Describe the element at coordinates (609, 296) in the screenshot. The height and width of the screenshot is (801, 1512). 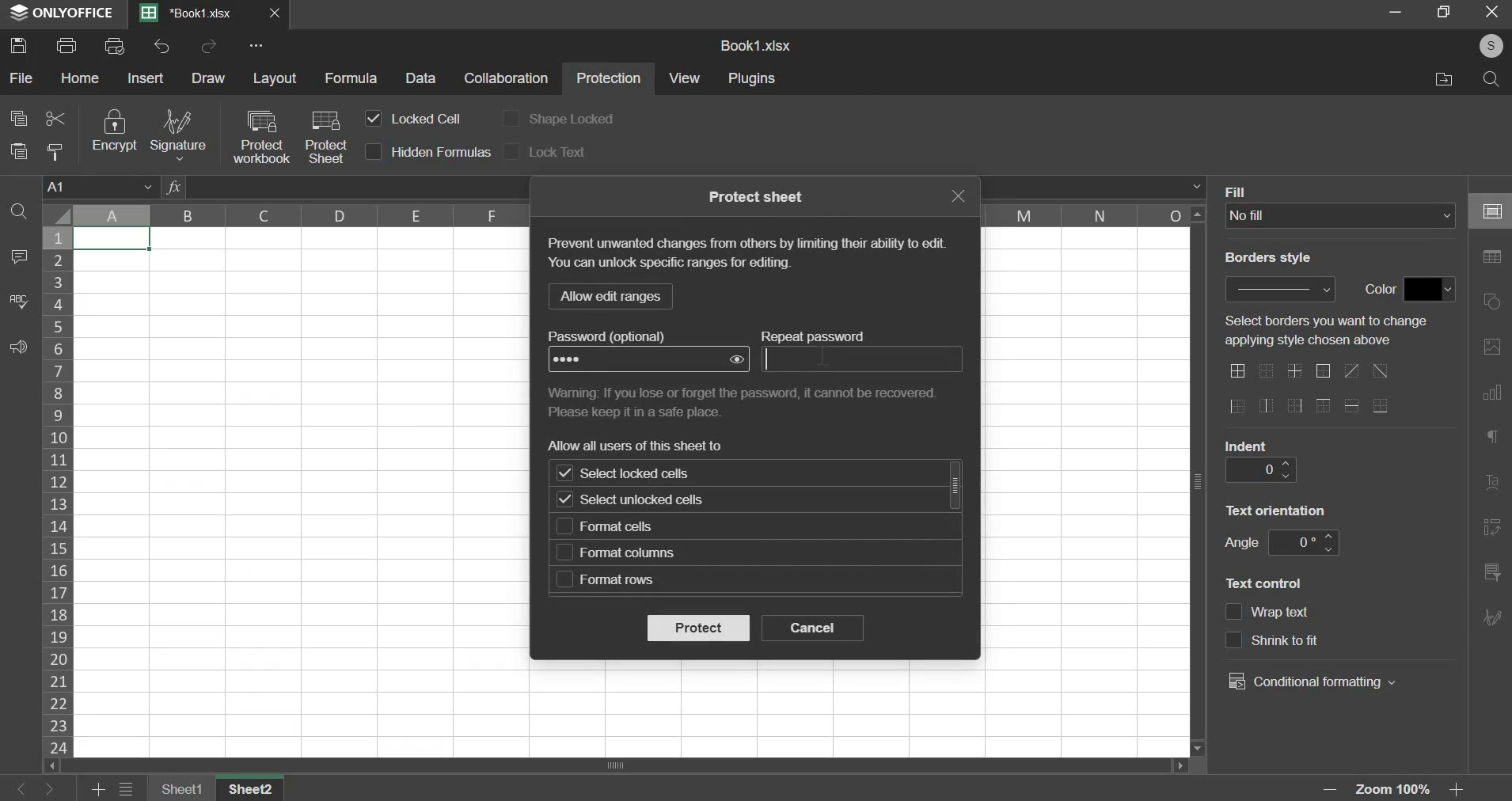
I see `llow edit range` at that location.